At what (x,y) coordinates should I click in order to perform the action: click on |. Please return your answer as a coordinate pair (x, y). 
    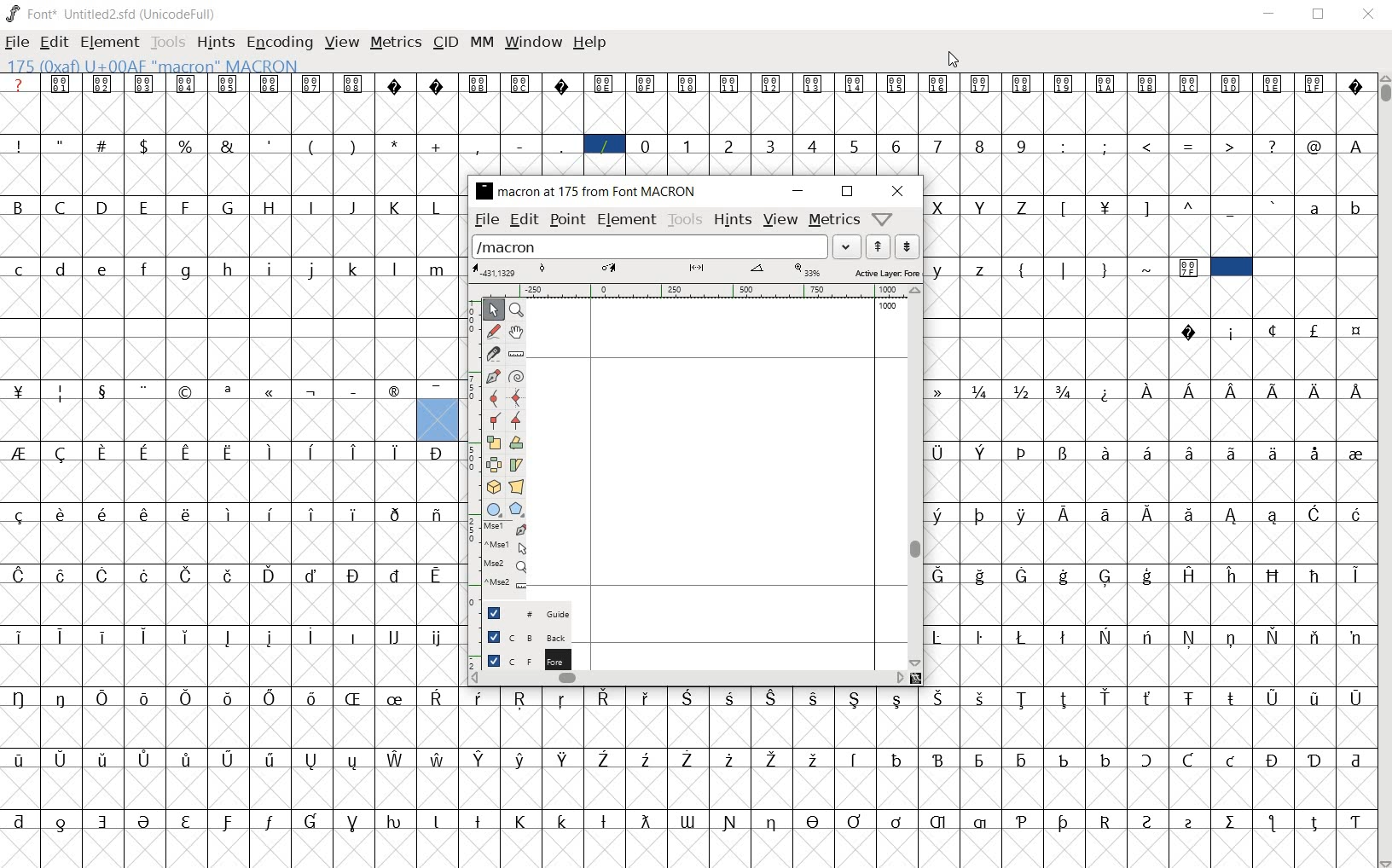
    Looking at the image, I should click on (1066, 269).